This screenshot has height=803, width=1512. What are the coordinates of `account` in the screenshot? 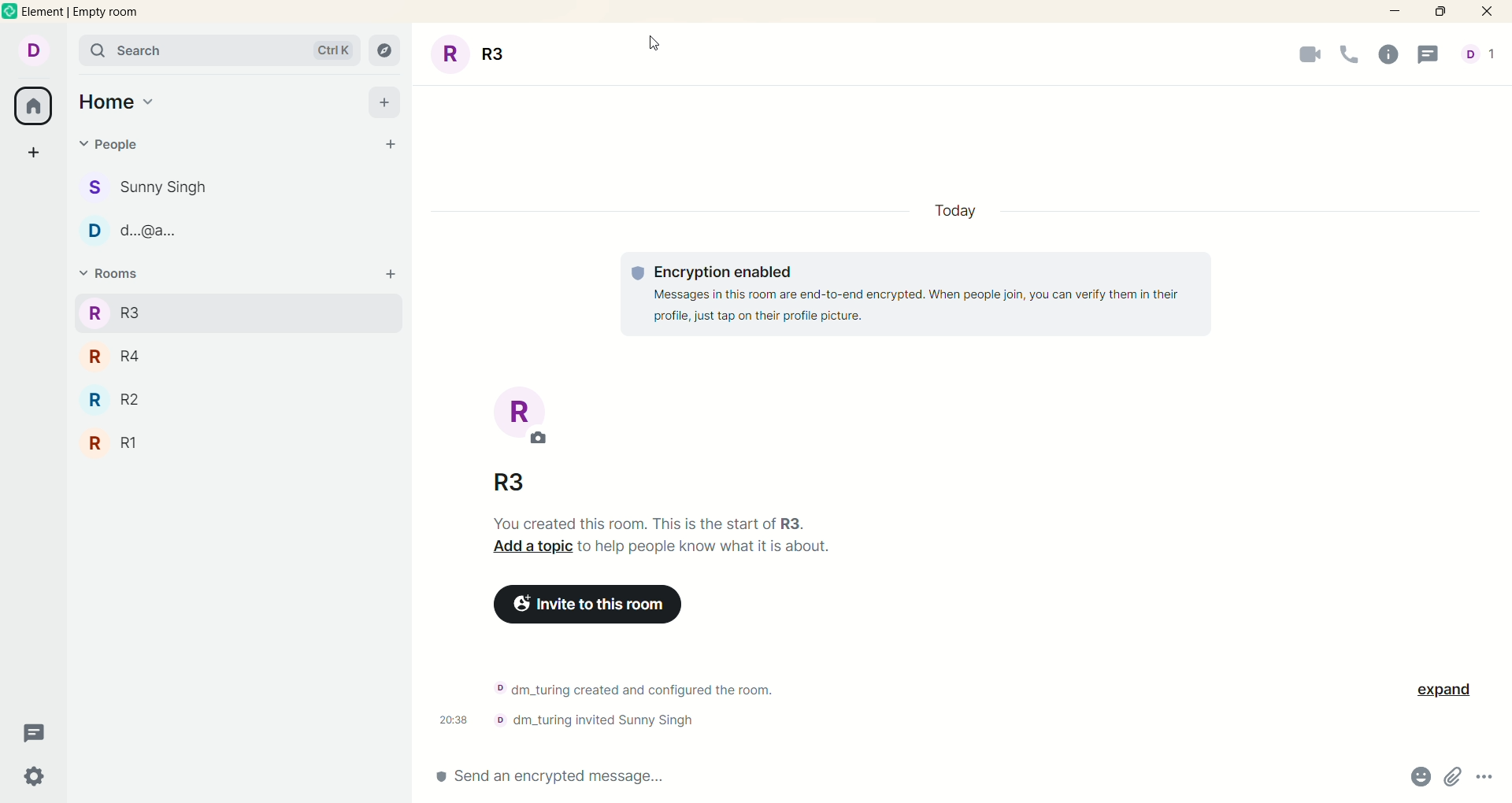 It's located at (31, 50).